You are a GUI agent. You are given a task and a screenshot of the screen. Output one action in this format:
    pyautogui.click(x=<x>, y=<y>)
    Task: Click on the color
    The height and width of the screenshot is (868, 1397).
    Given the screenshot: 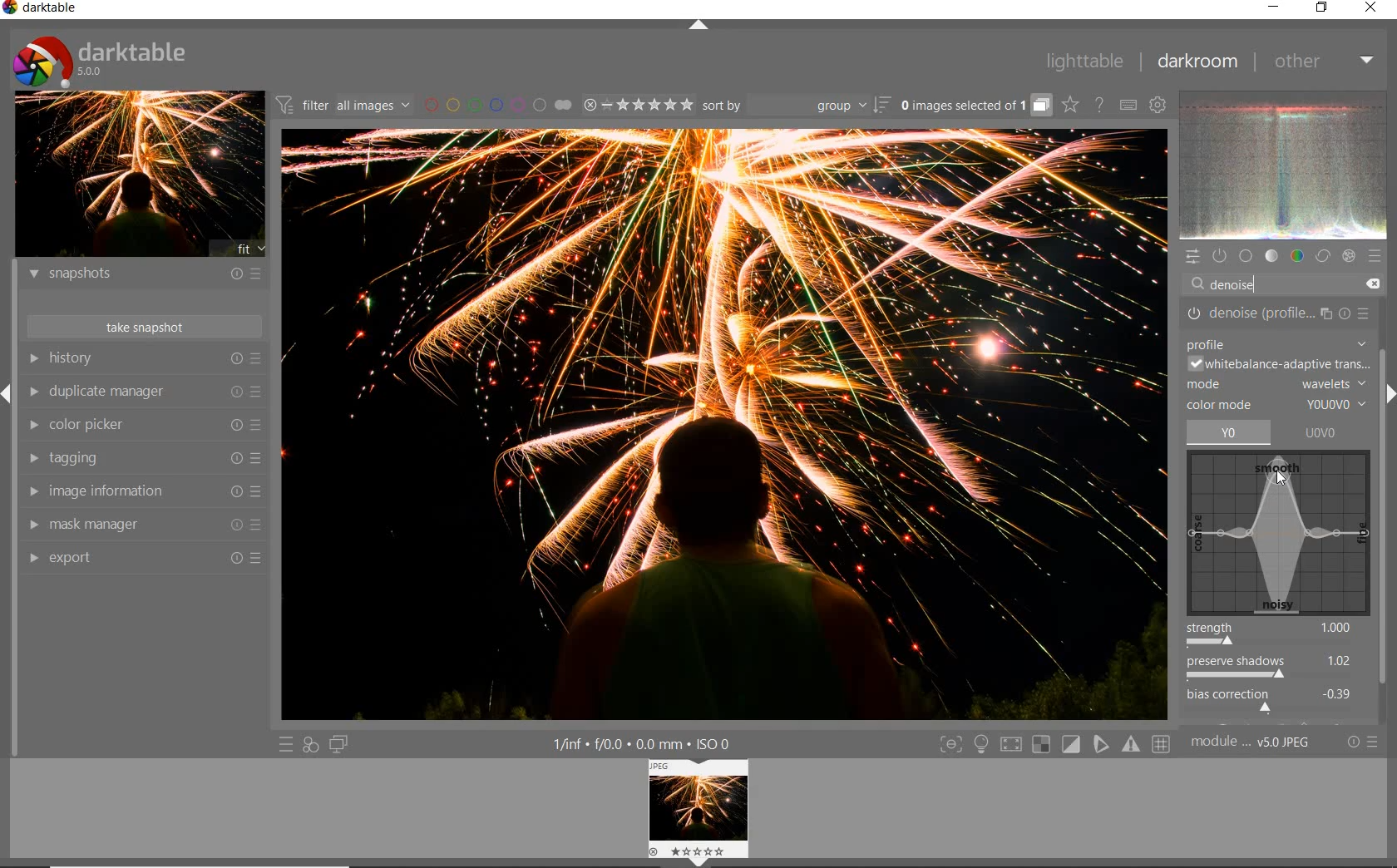 What is the action you would take?
    pyautogui.click(x=1298, y=256)
    